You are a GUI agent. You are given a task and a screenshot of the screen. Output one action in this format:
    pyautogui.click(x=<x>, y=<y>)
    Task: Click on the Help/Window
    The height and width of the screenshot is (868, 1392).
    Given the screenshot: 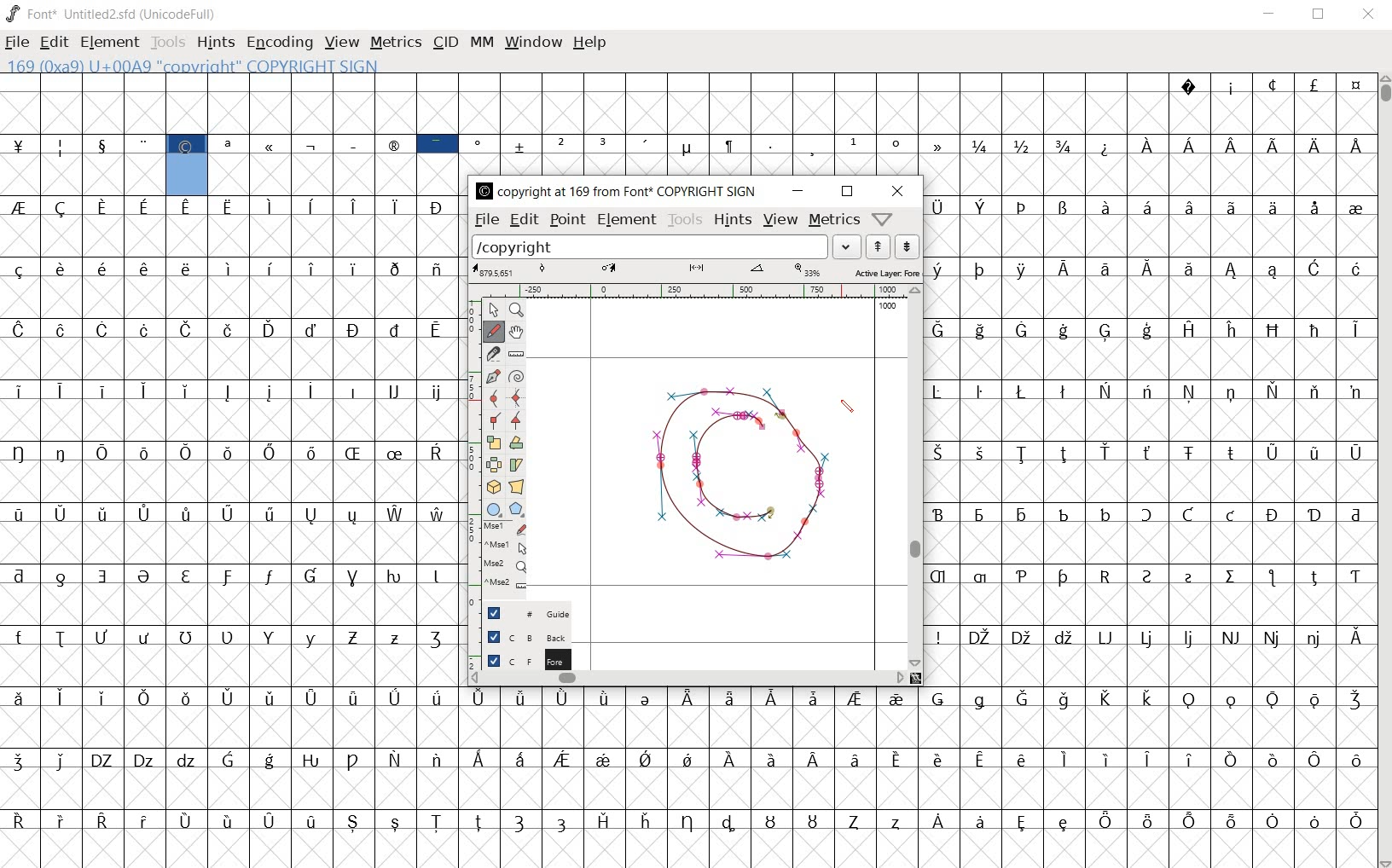 What is the action you would take?
    pyautogui.click(x=884, y=218)
    